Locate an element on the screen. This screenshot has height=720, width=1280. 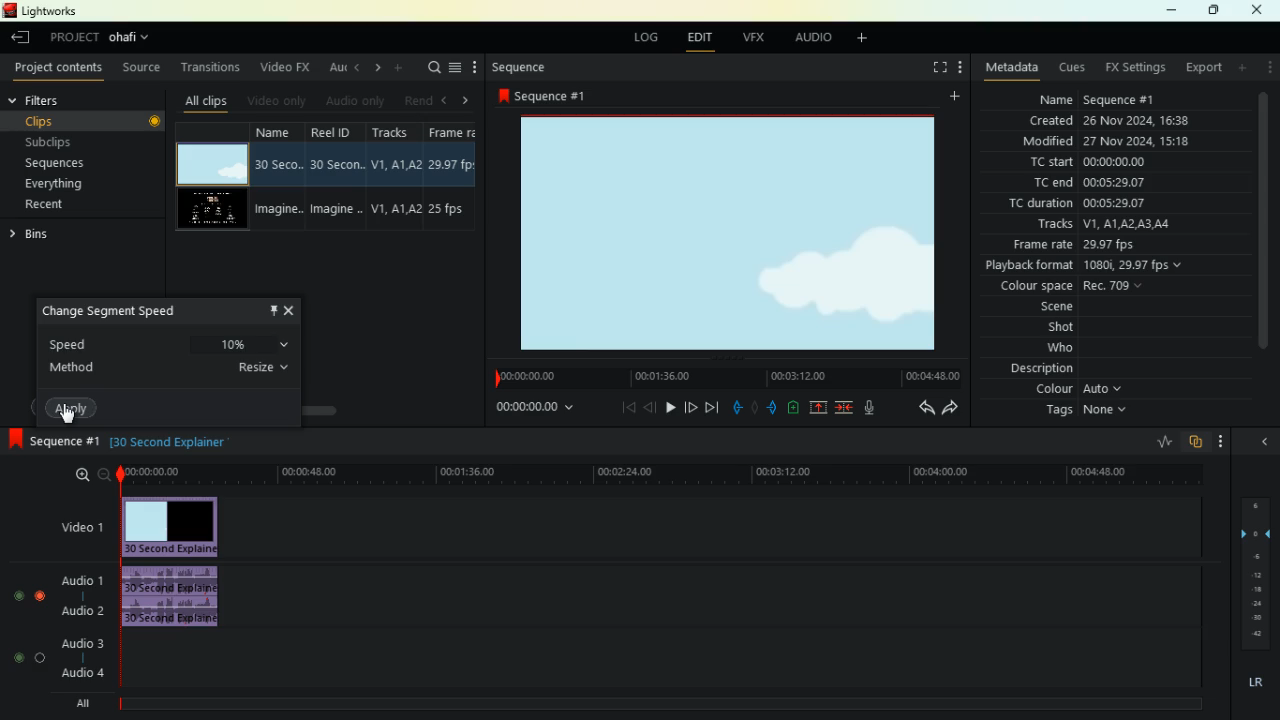
layers is located at coordinates (1252, 573).